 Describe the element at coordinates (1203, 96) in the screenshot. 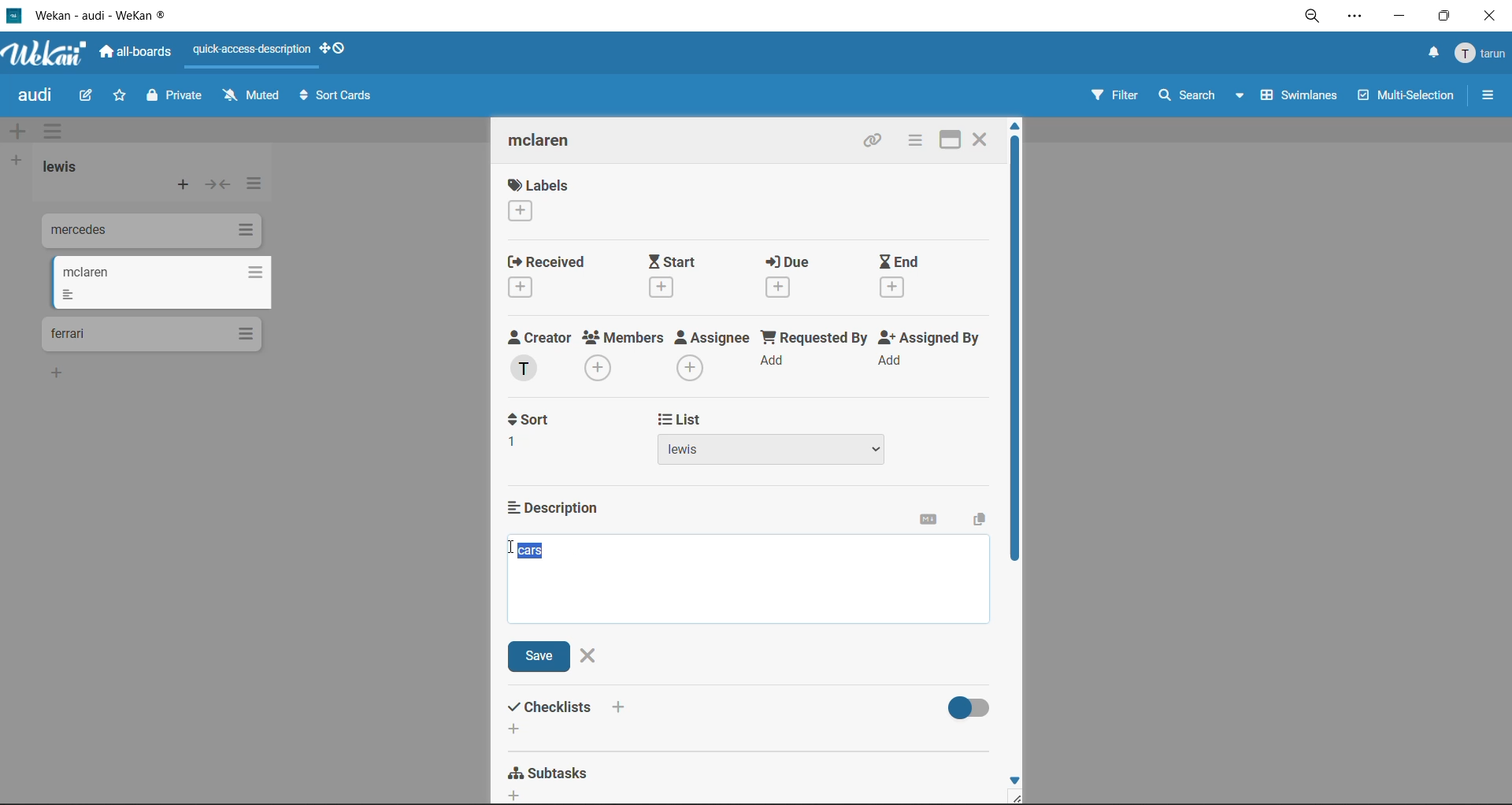

I see `search` at that location.